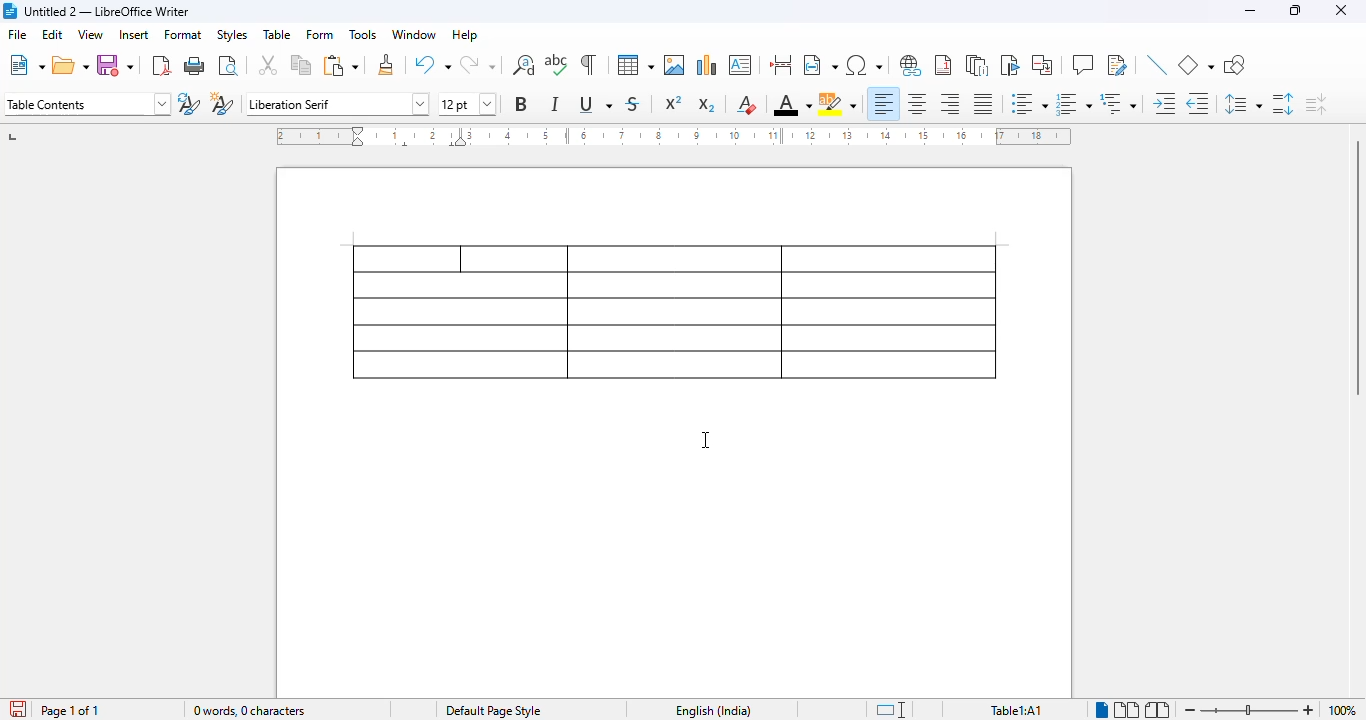  I want to click on Default page style, so click(493, 710).